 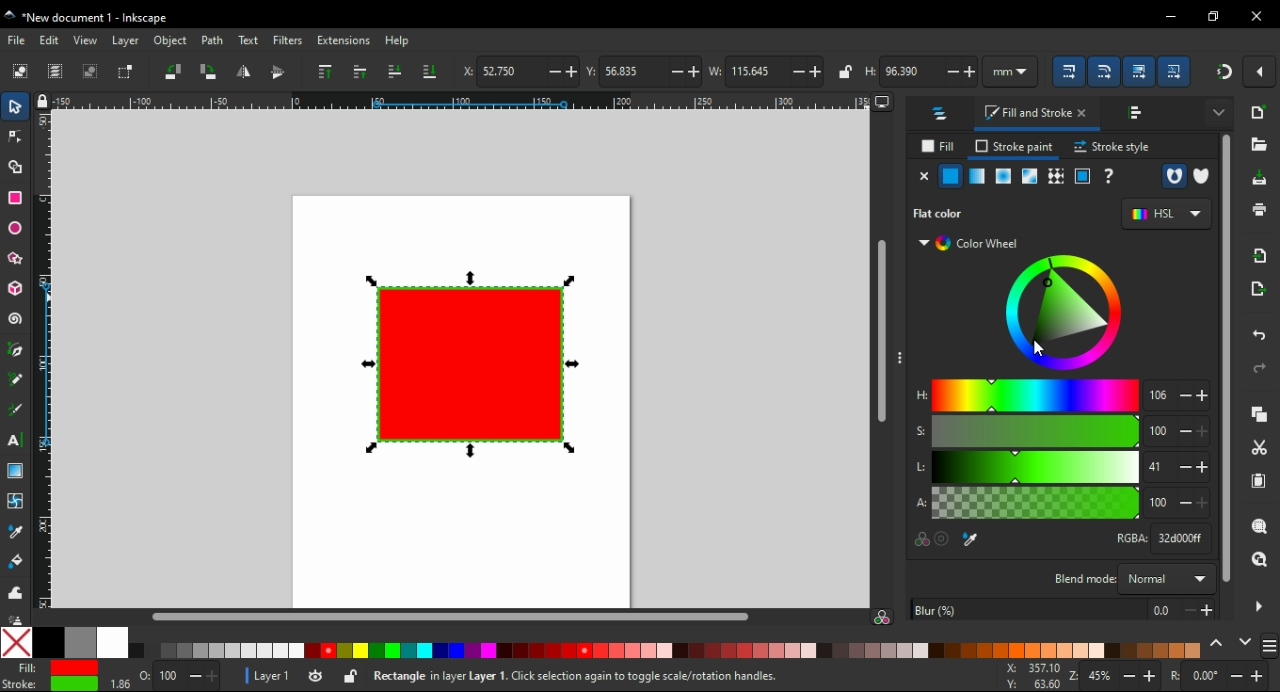 What do you see at coordinates (16, 228) in the screenshot?
I see `ellipse/arc tool` at bounding box center [16, 228].